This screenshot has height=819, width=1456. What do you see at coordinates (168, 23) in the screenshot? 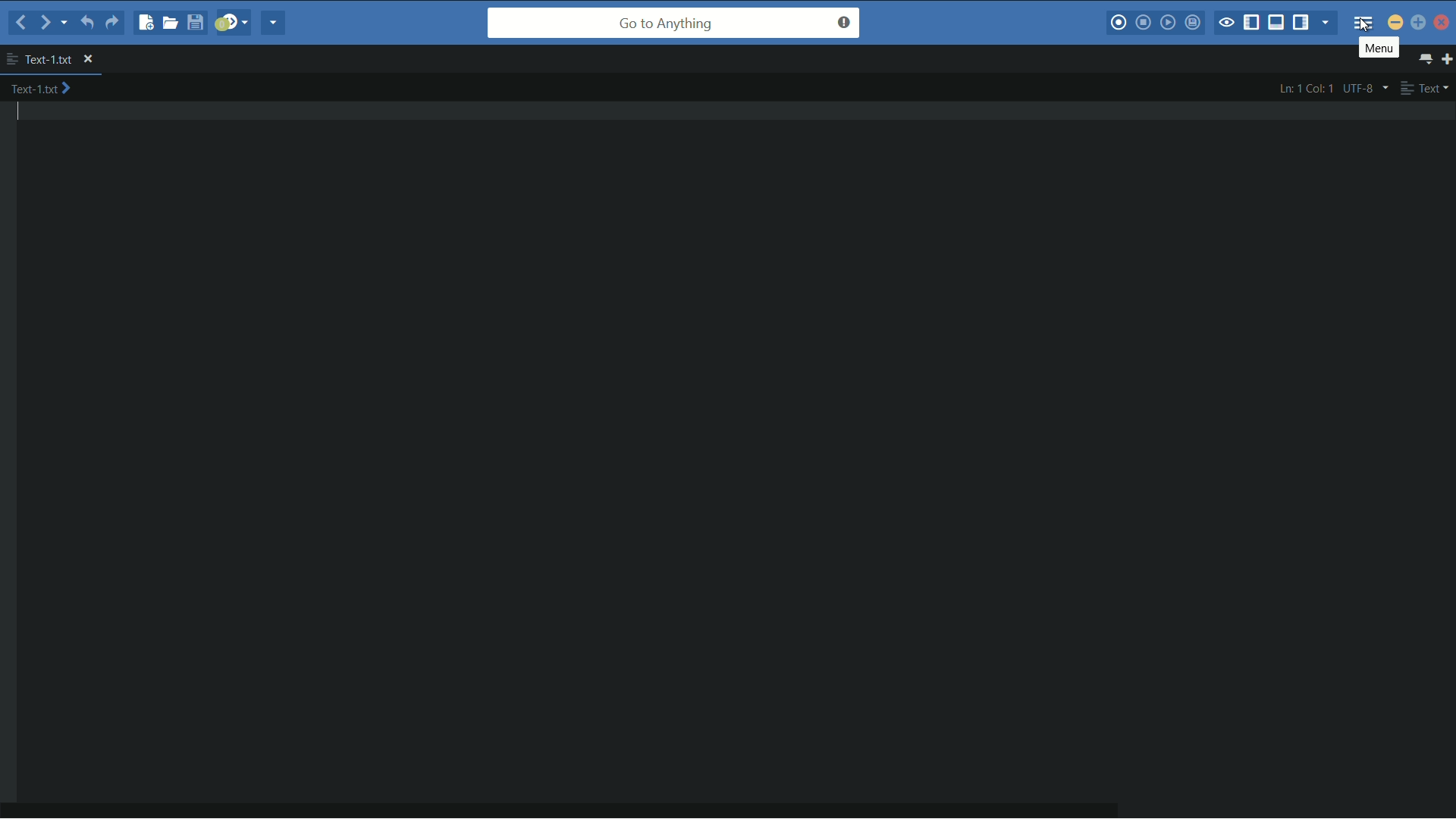
I see `open file` at bounding box center [168, 23].